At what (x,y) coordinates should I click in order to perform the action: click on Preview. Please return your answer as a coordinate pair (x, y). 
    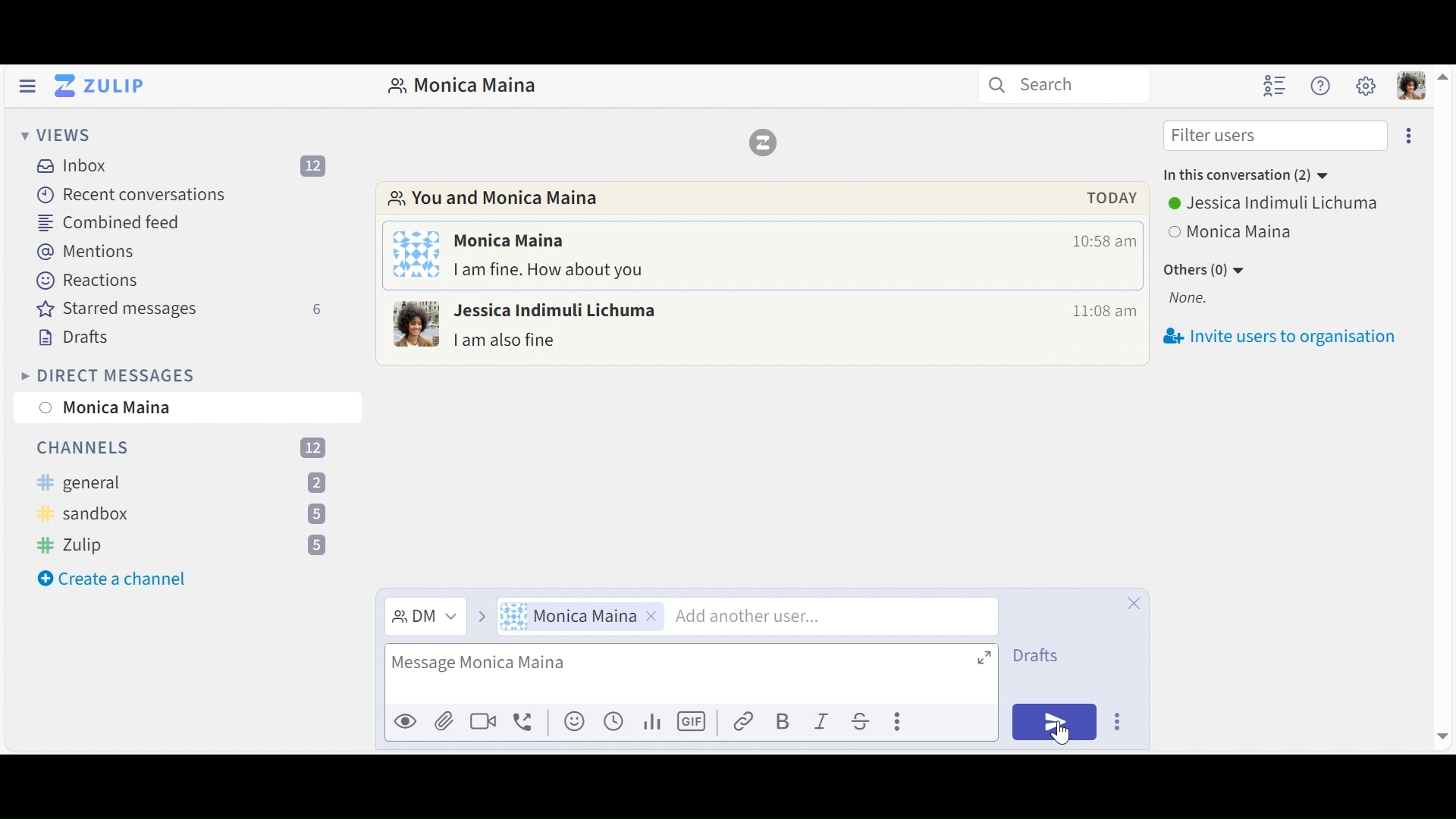
    Looking at the image, I should click on (406, 718).